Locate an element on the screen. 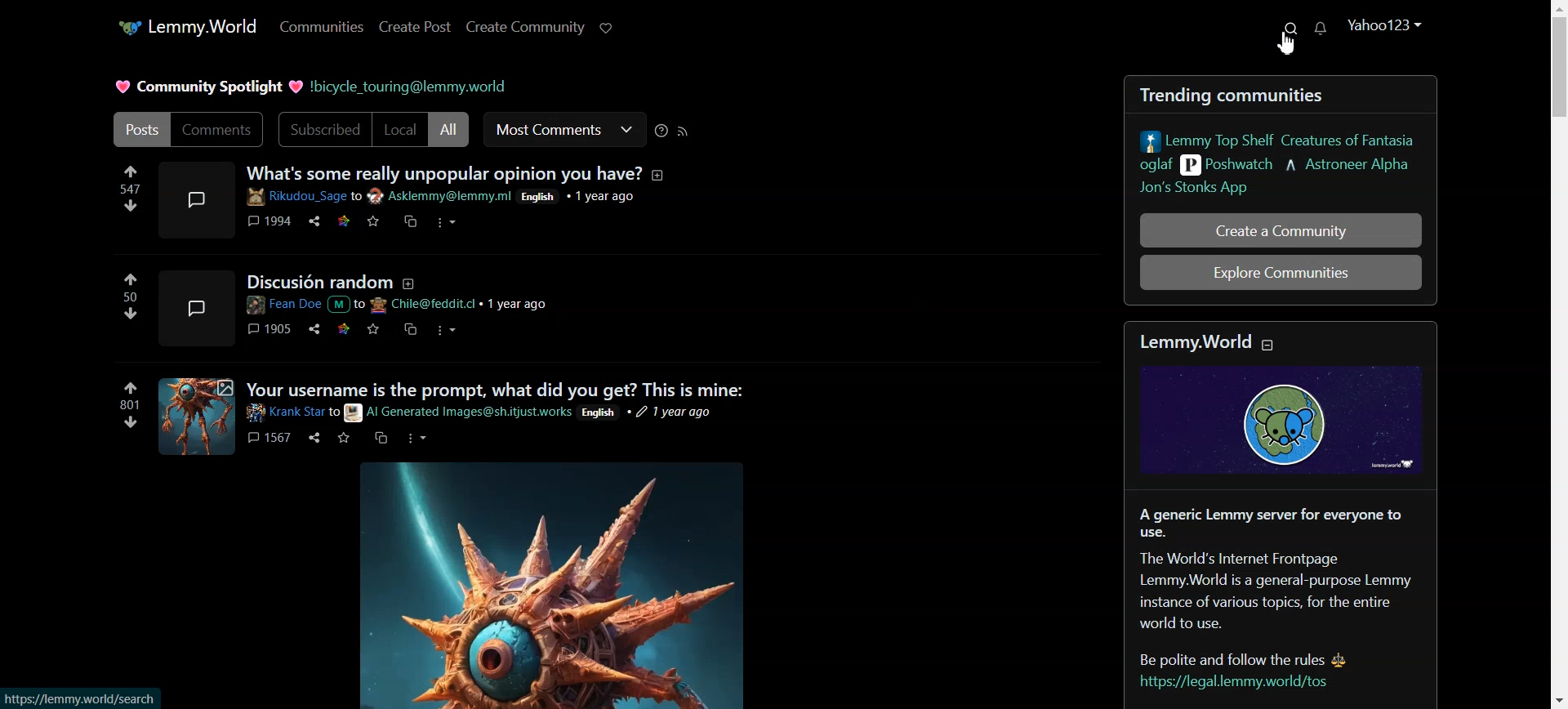 The image size is (1568, 709). Sorting Help is located at coordinates (661, 130).